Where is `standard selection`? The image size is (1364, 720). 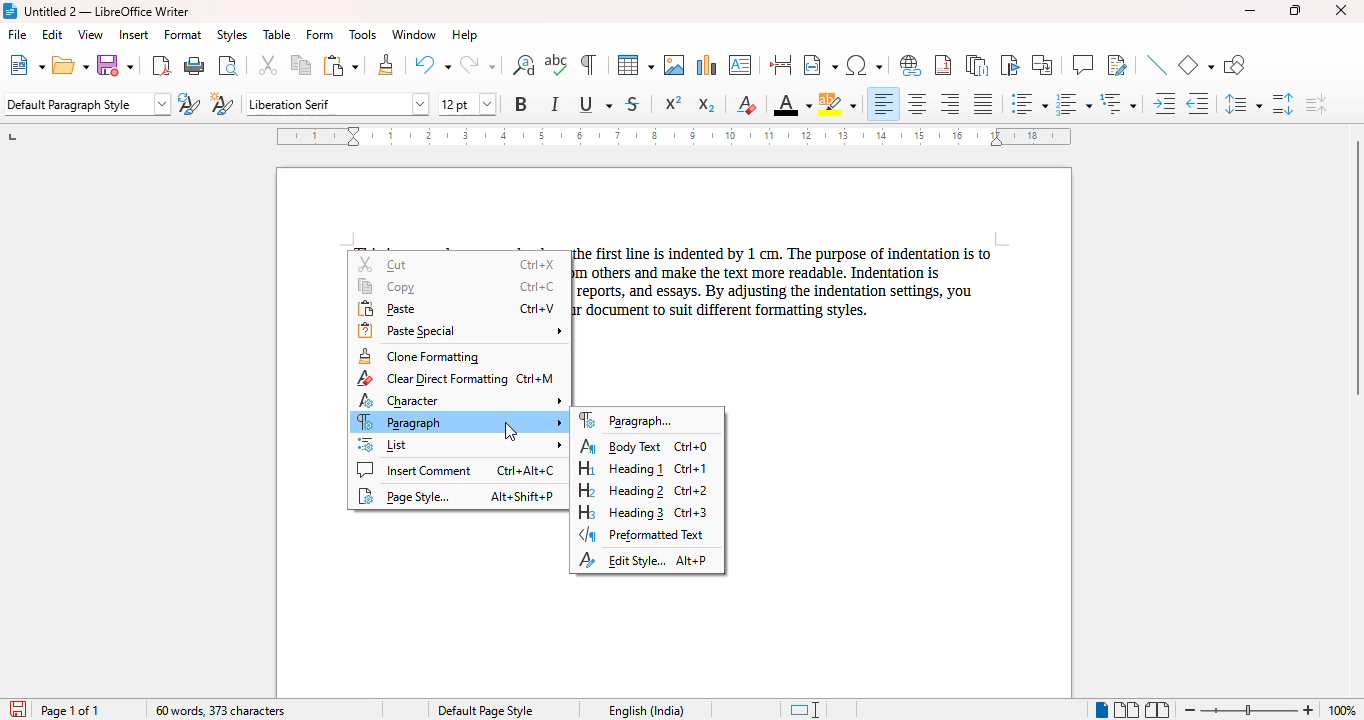 standard selection is located at coordinates (803, 710).